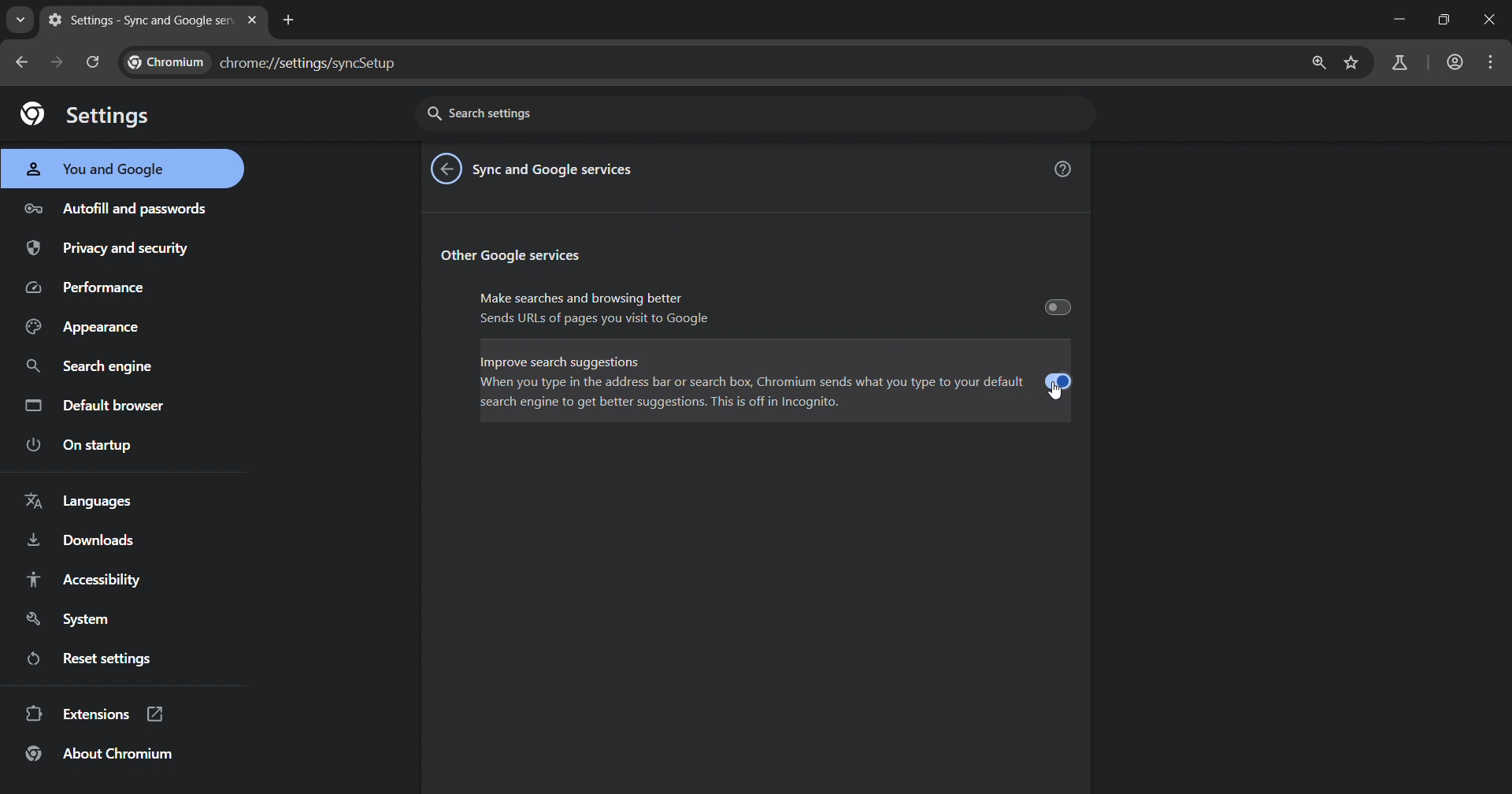  What do you see at coordinates (84, 579) in the screenshot?
I see `accessibilty` at bounding box center [84, 579].